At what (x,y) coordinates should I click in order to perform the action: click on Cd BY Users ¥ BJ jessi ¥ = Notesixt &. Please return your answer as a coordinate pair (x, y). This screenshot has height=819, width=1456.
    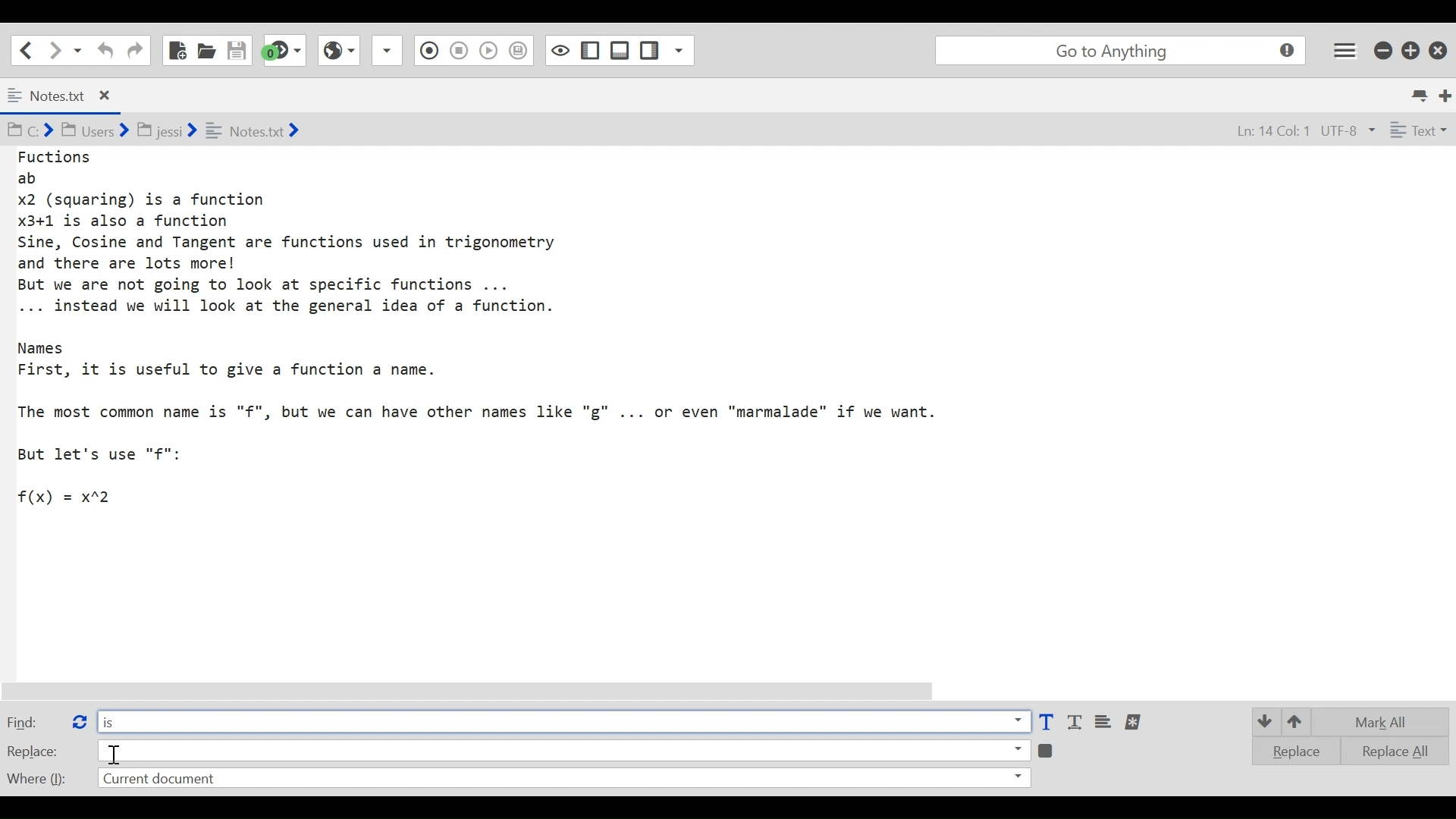
    Looking at the image, I should click on (185, 132).